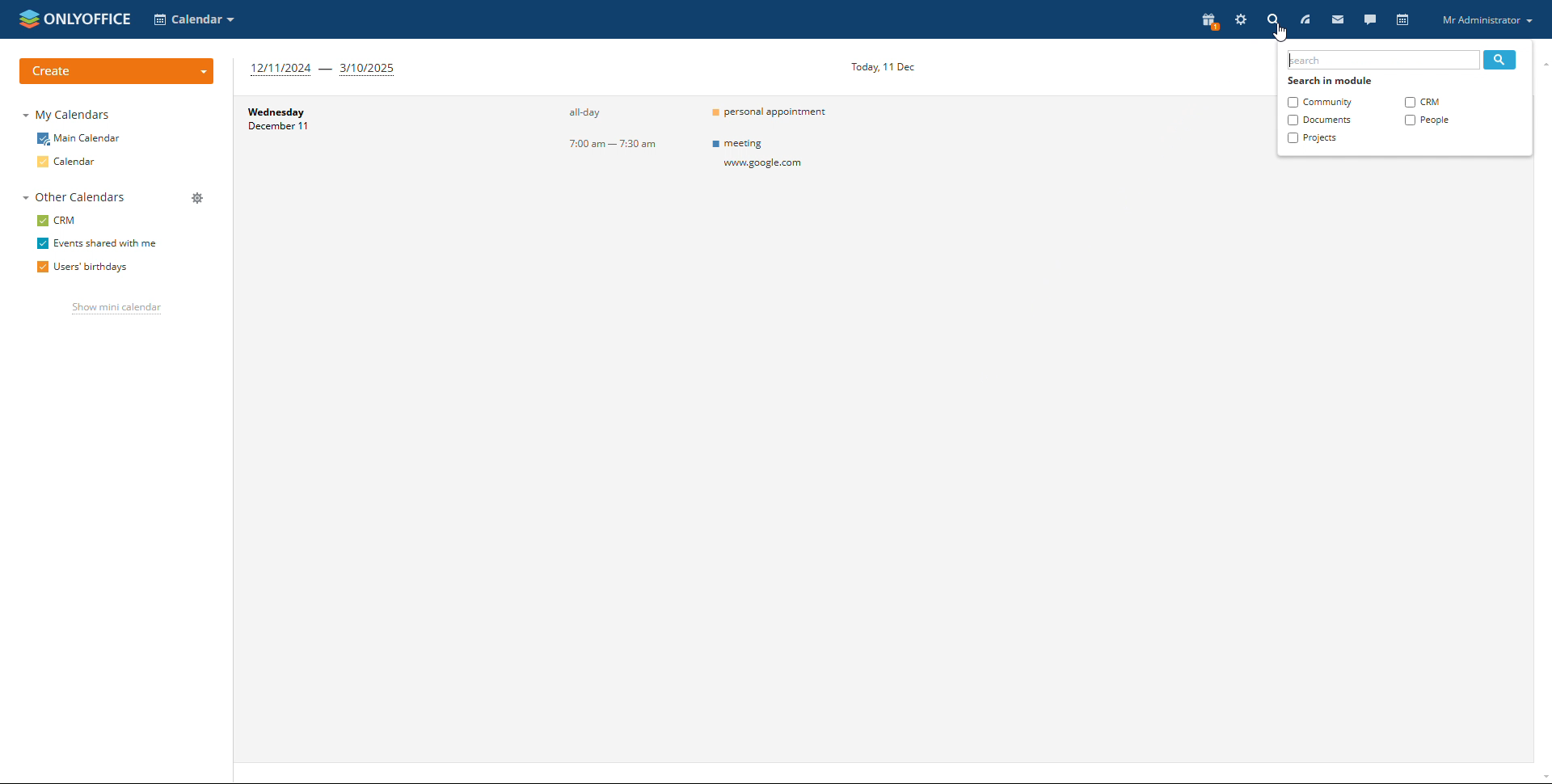 The height and width of the screenshot is (784, 1552). I want to click on all-day7:00 am — 7:30 am, so click(583, 158).